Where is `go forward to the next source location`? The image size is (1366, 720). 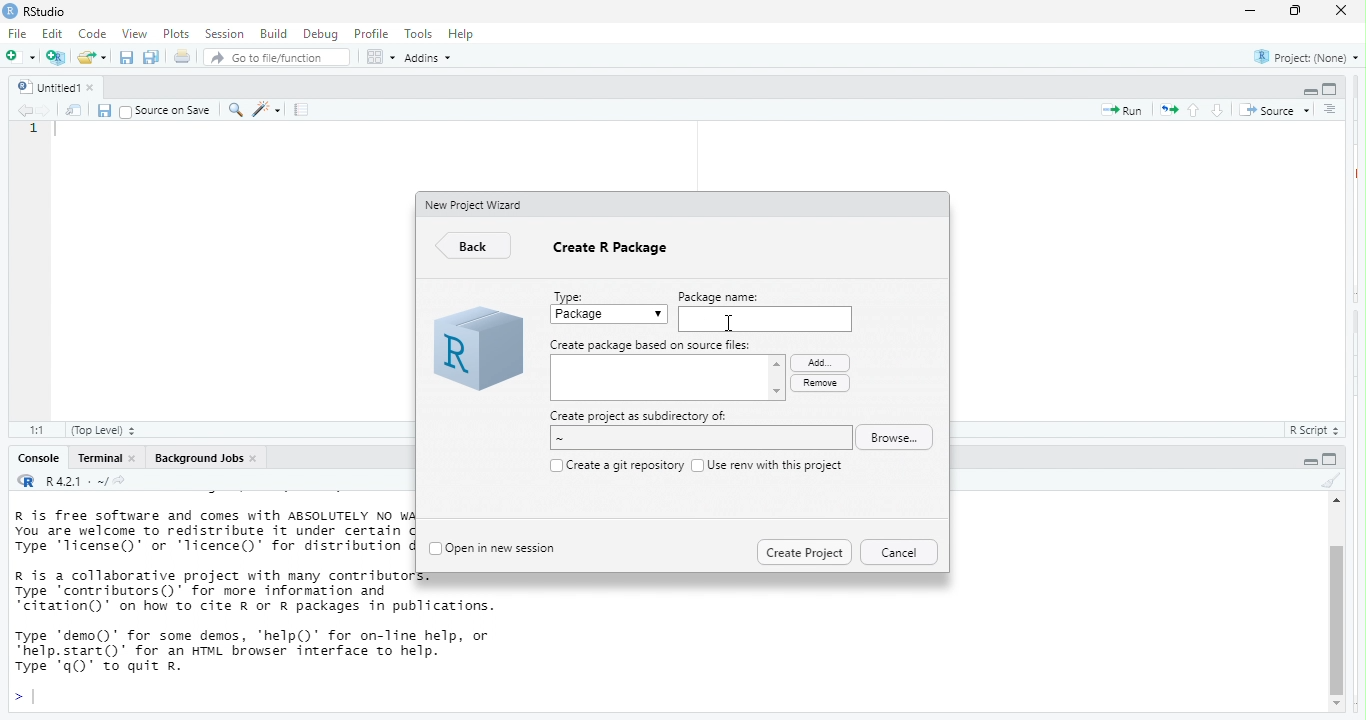
go forward to the next source location is located at coordinates (45, 109).